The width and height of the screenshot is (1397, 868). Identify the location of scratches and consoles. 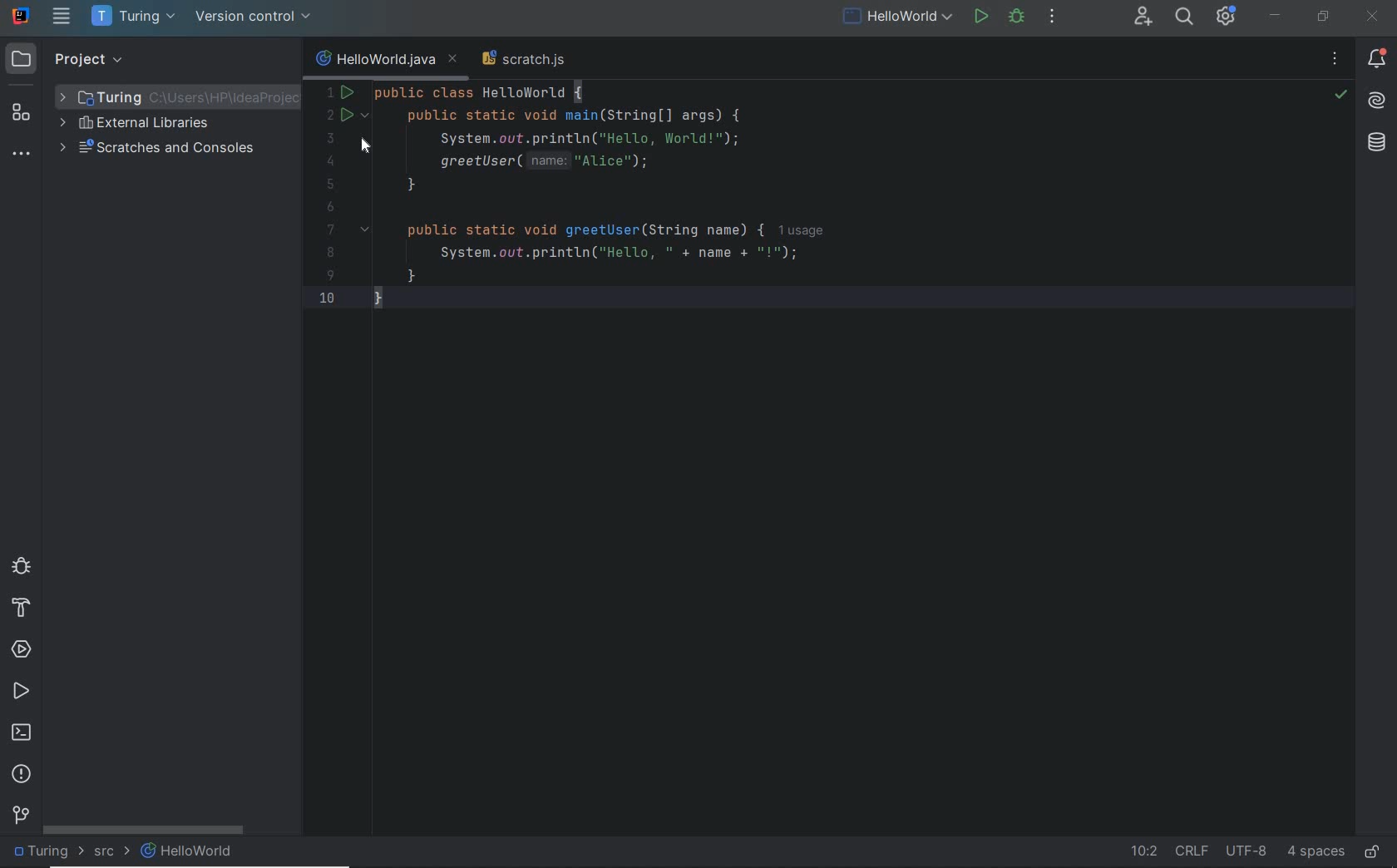
(160, 150).